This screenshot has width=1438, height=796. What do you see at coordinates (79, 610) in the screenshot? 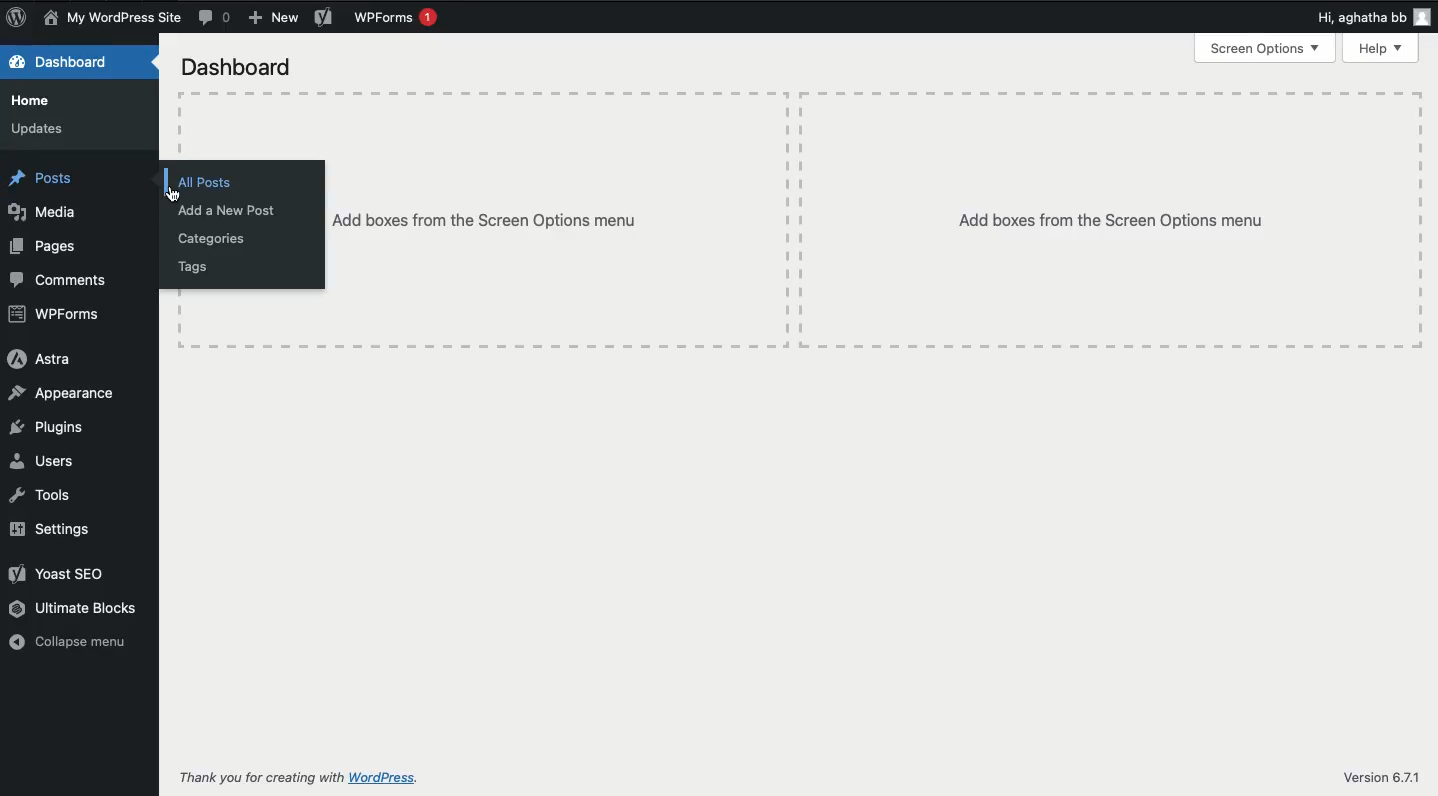
I see `Ultimate blocks` at bounding box center [79, 610].